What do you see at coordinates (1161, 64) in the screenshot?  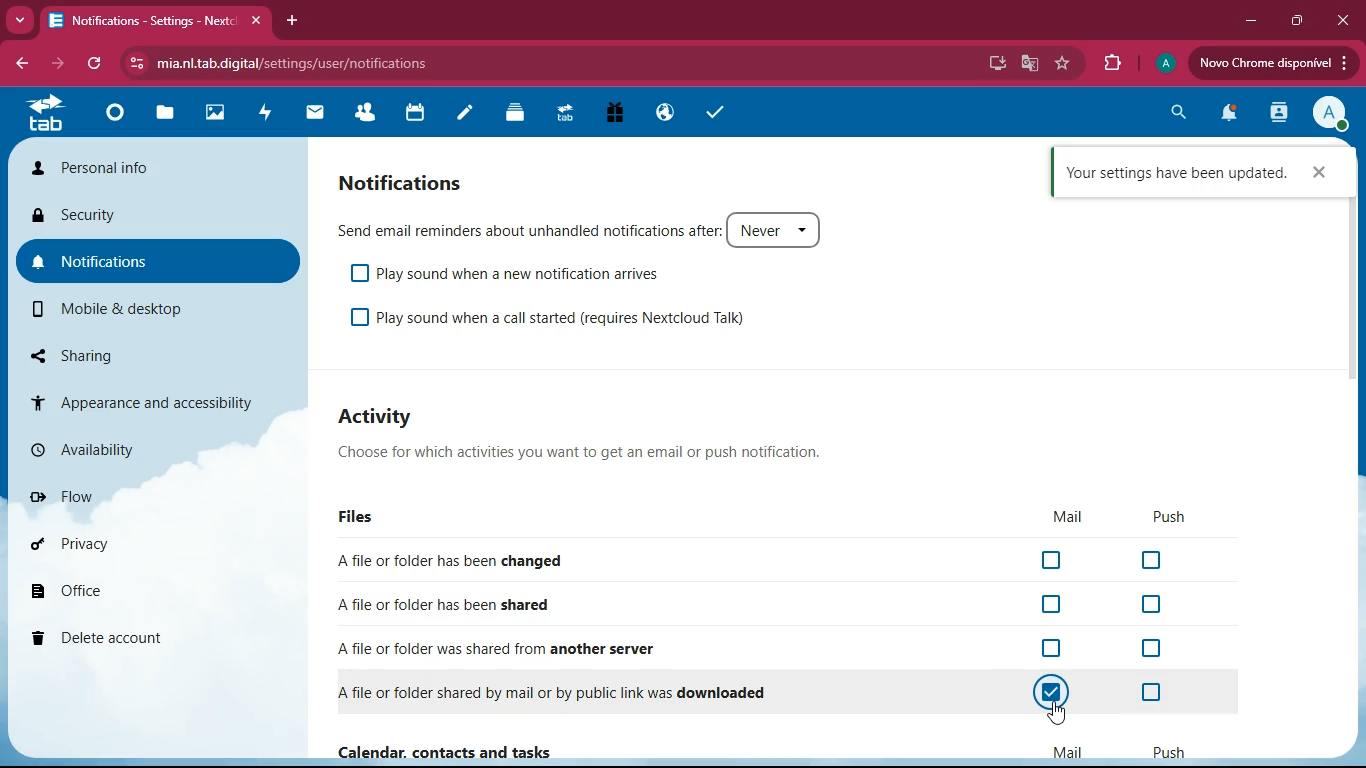 I see `profile` at bounding box center [1161, 64].